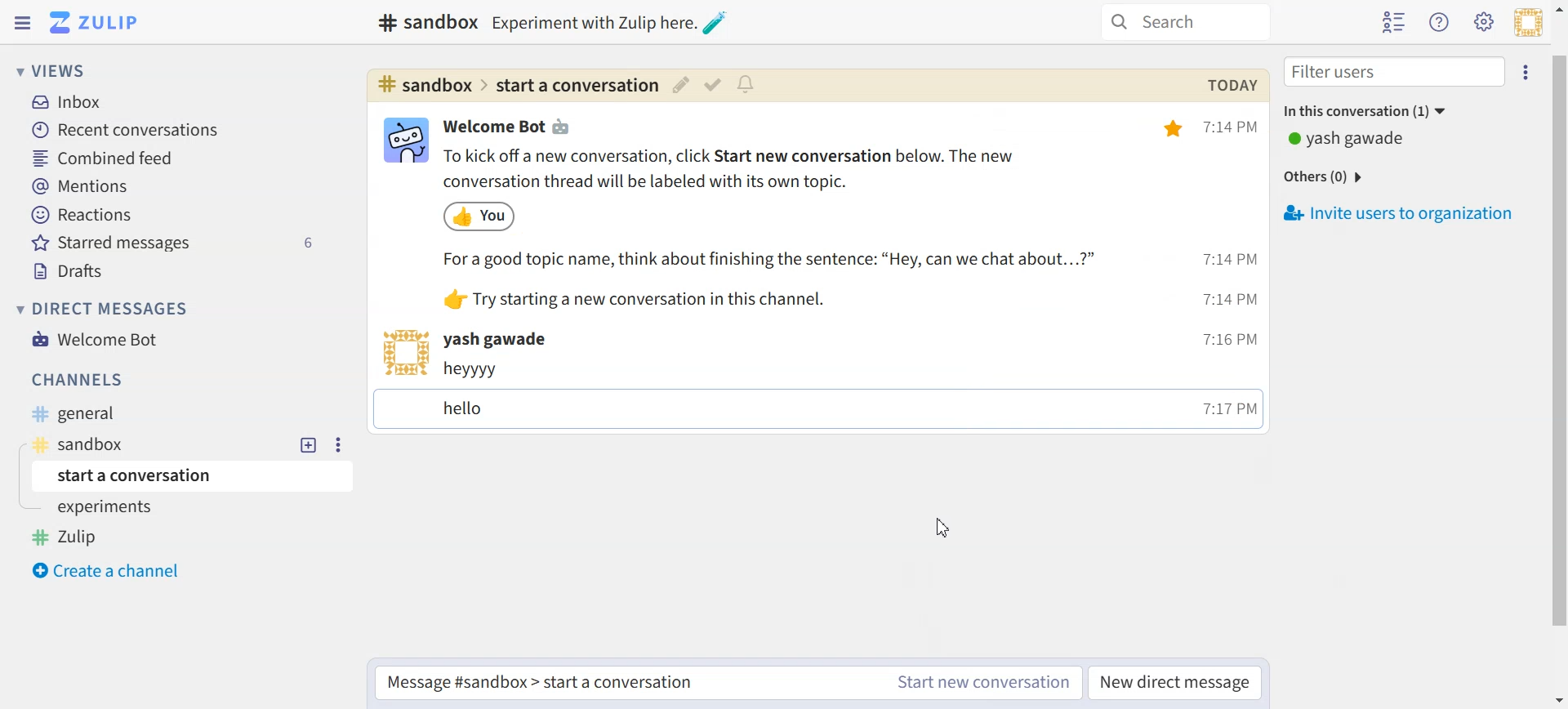  Describe the element at coordinates (1327, 177) in the screenshot. I see `Others` at that location.